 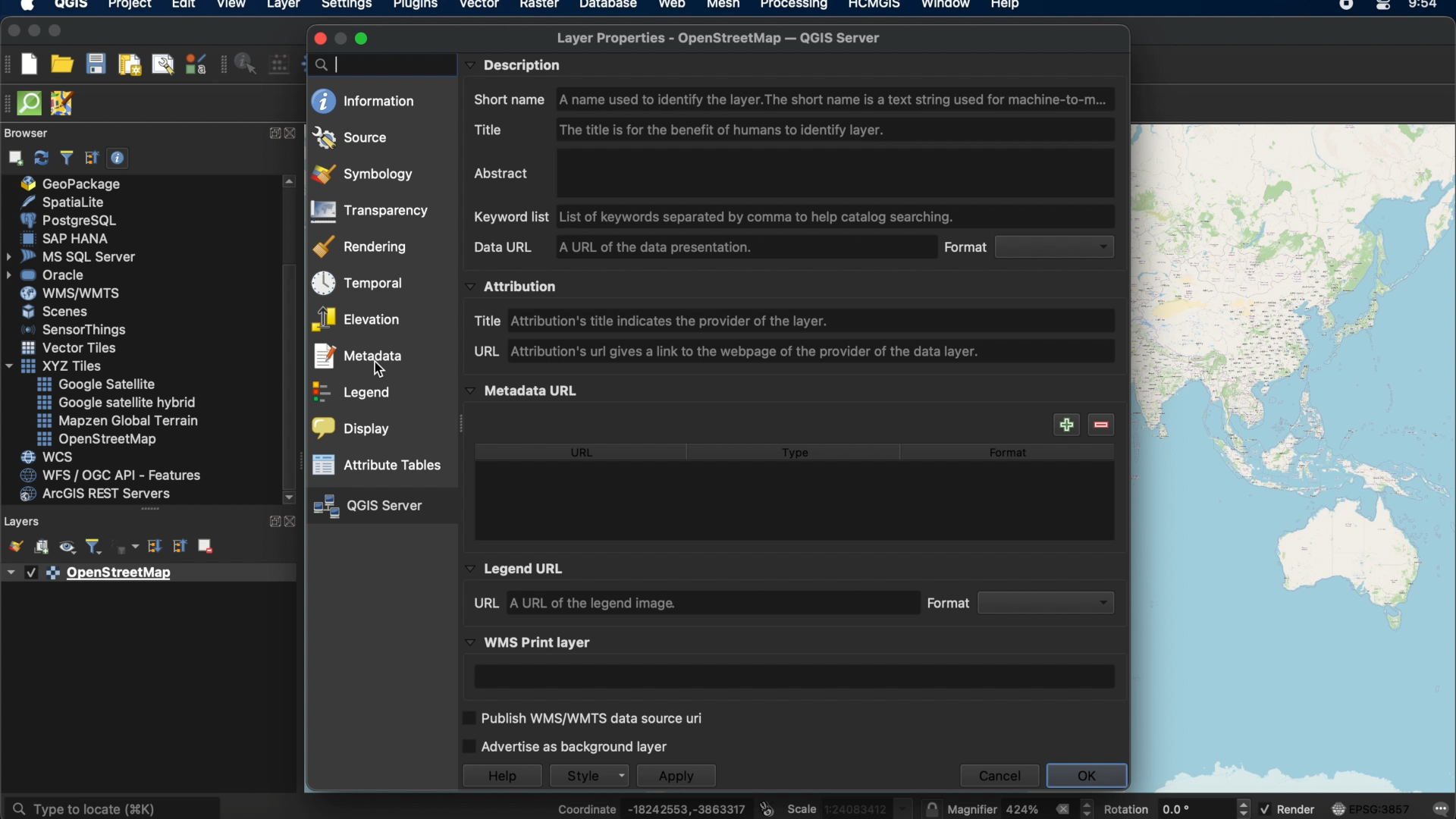 I want to click on open the layer styling panel, so click(x=14, y=545).